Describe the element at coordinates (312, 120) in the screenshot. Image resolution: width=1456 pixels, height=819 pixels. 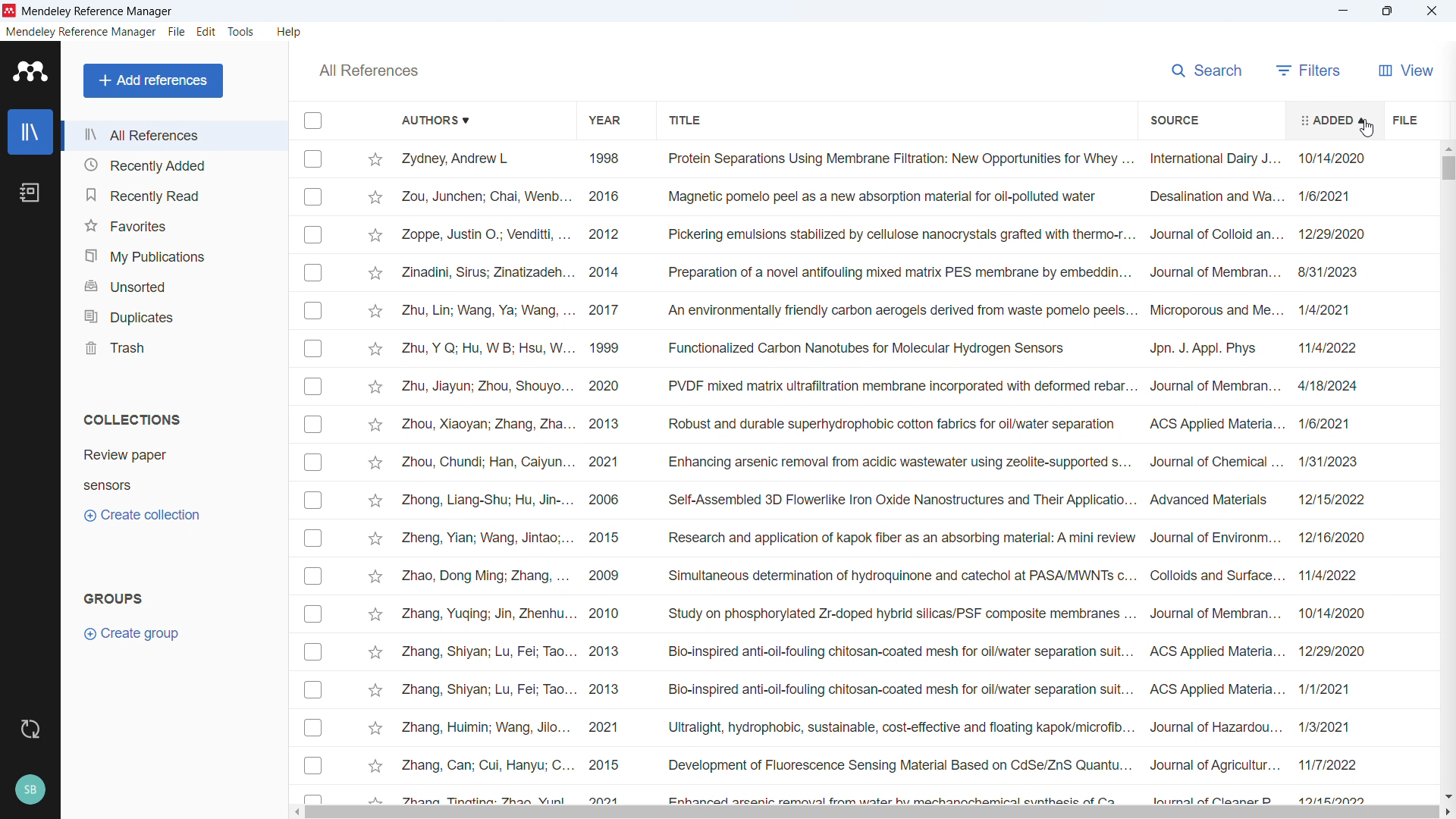
I see `Select all ` at that location.